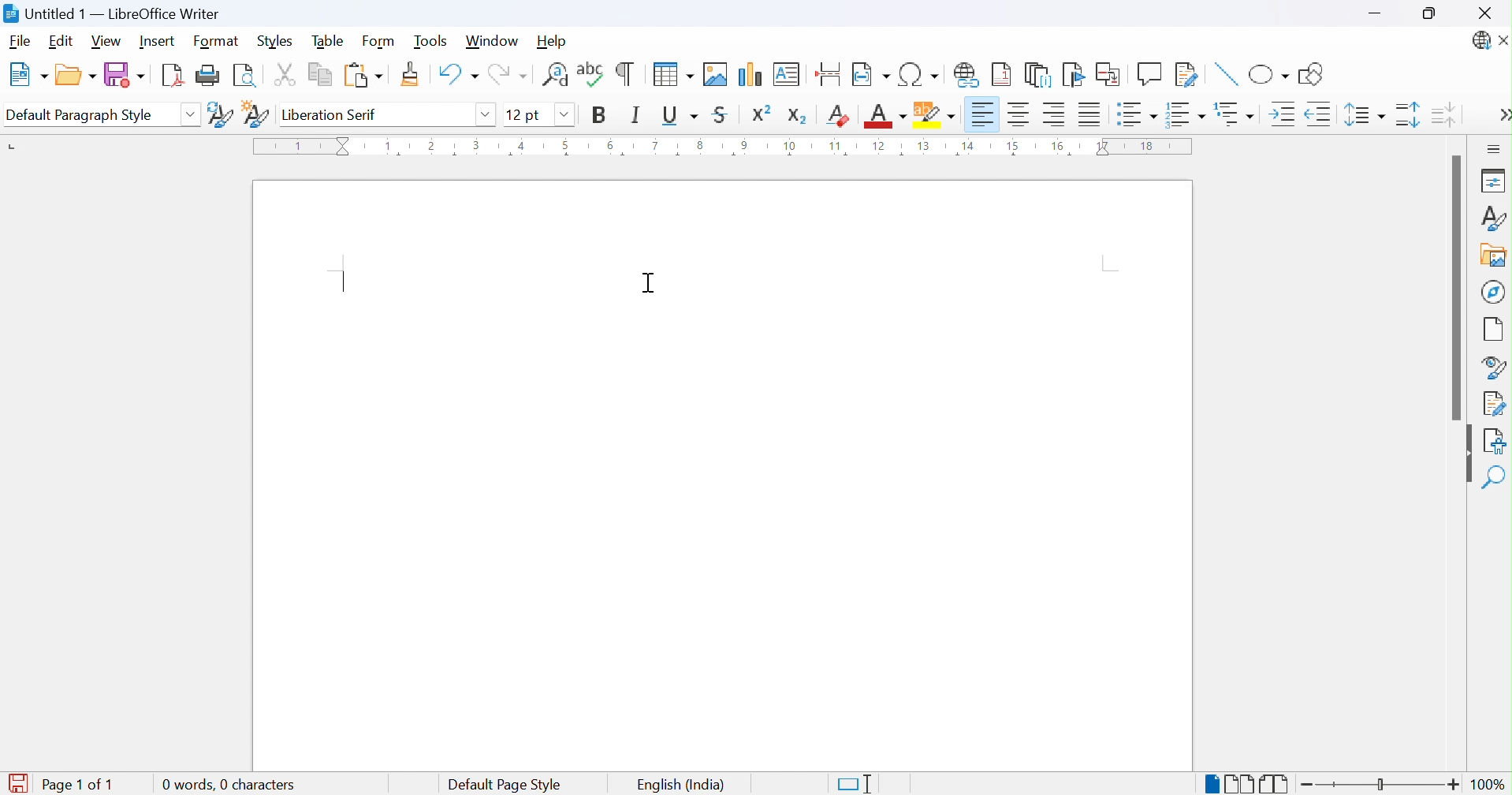 This screenshot has height=795, width=1512. Describe the element at coordinates (1271, 75) in the screenshot. I see `Basic shapes` at that location.